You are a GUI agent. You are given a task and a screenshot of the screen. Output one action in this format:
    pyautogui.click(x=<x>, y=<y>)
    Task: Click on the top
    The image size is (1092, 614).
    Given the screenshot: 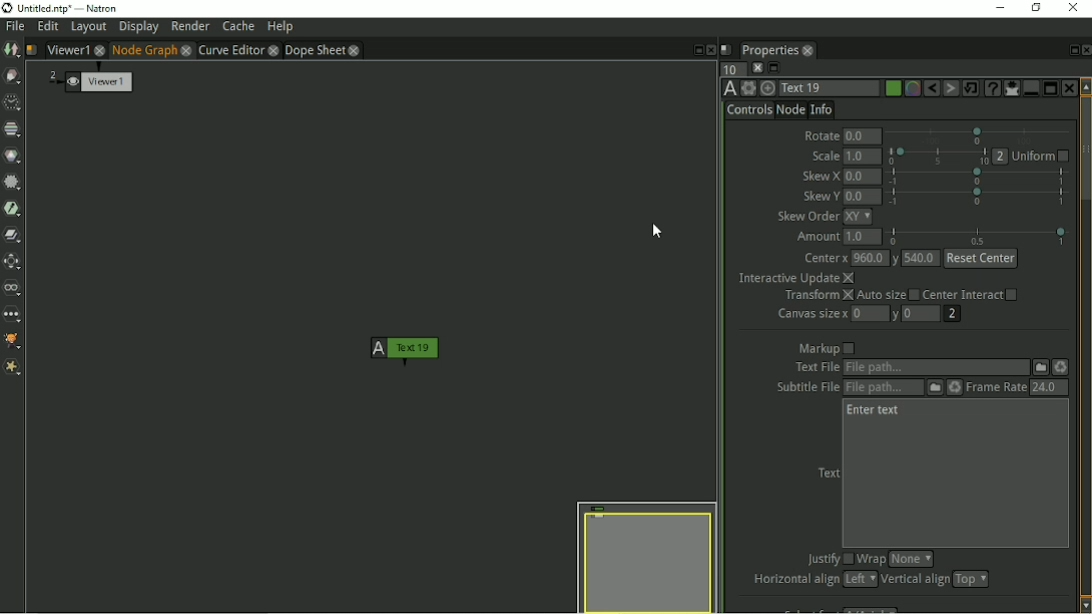 What is the action you would take?
    pyautogui.click(x=975, y=579)
    